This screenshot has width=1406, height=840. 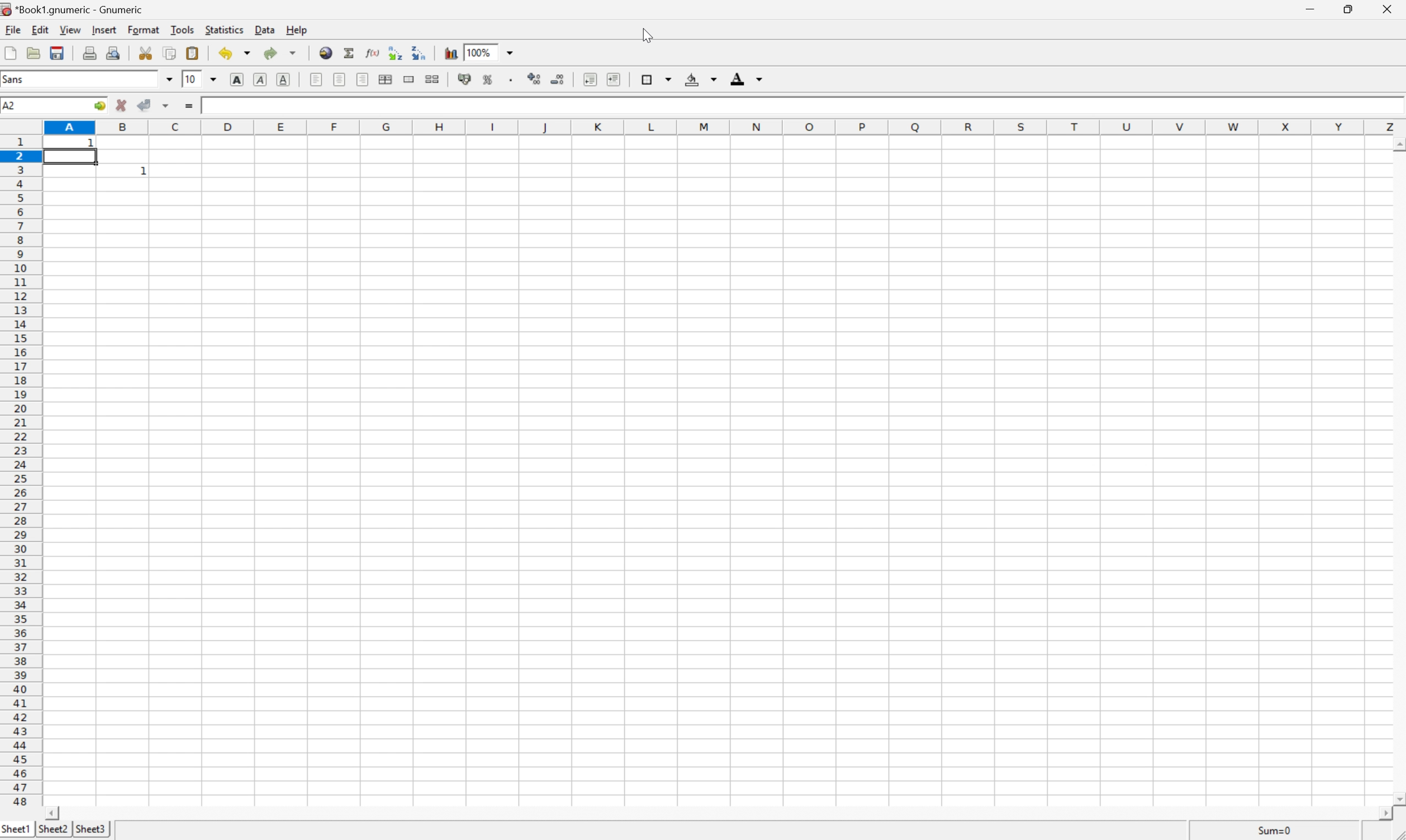 What do you see at coordinates (149, 52) in the screenshot?
I see `cut` at bounding box center [149, 52].